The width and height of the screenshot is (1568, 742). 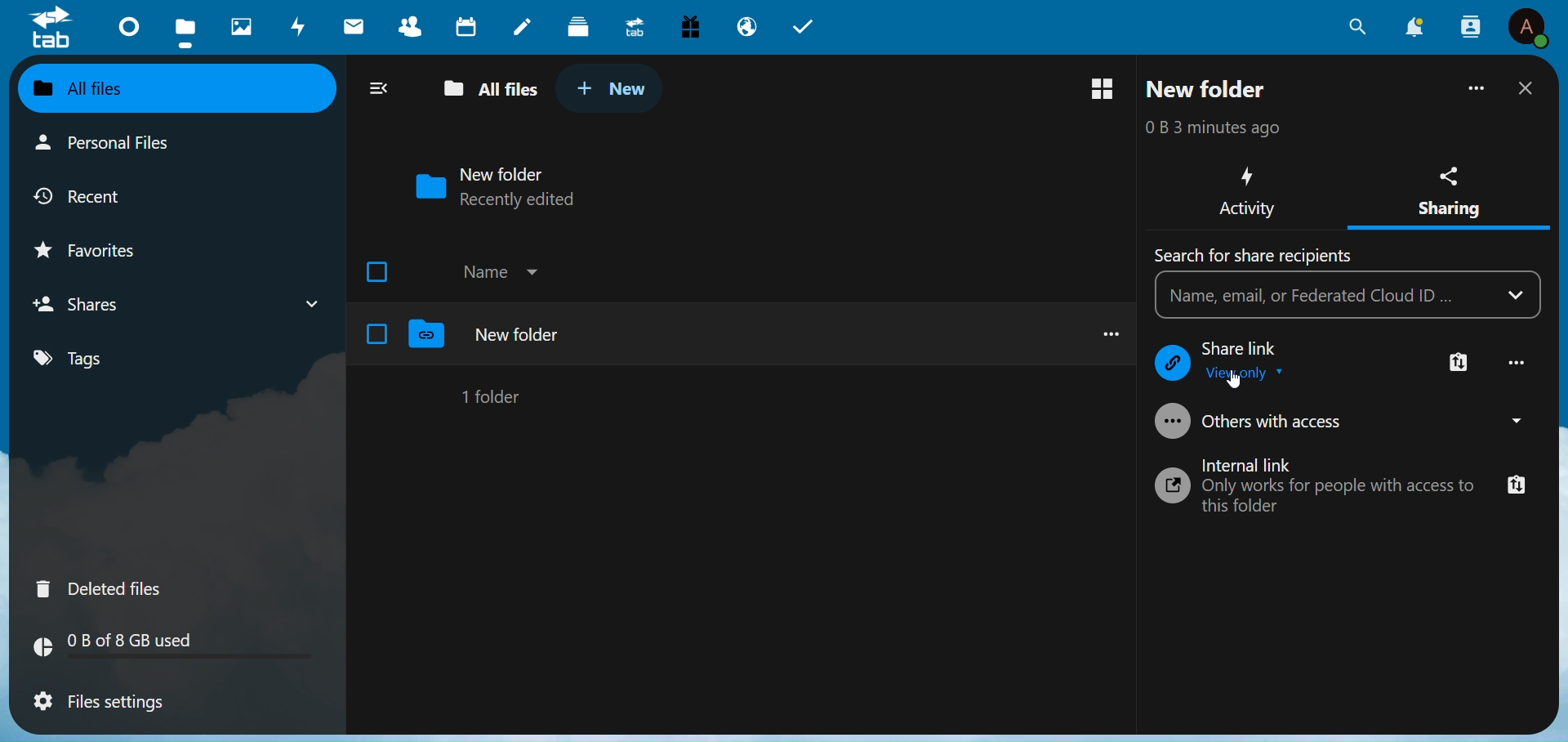 I want to click on Icon, so click(x=1172, y=364).